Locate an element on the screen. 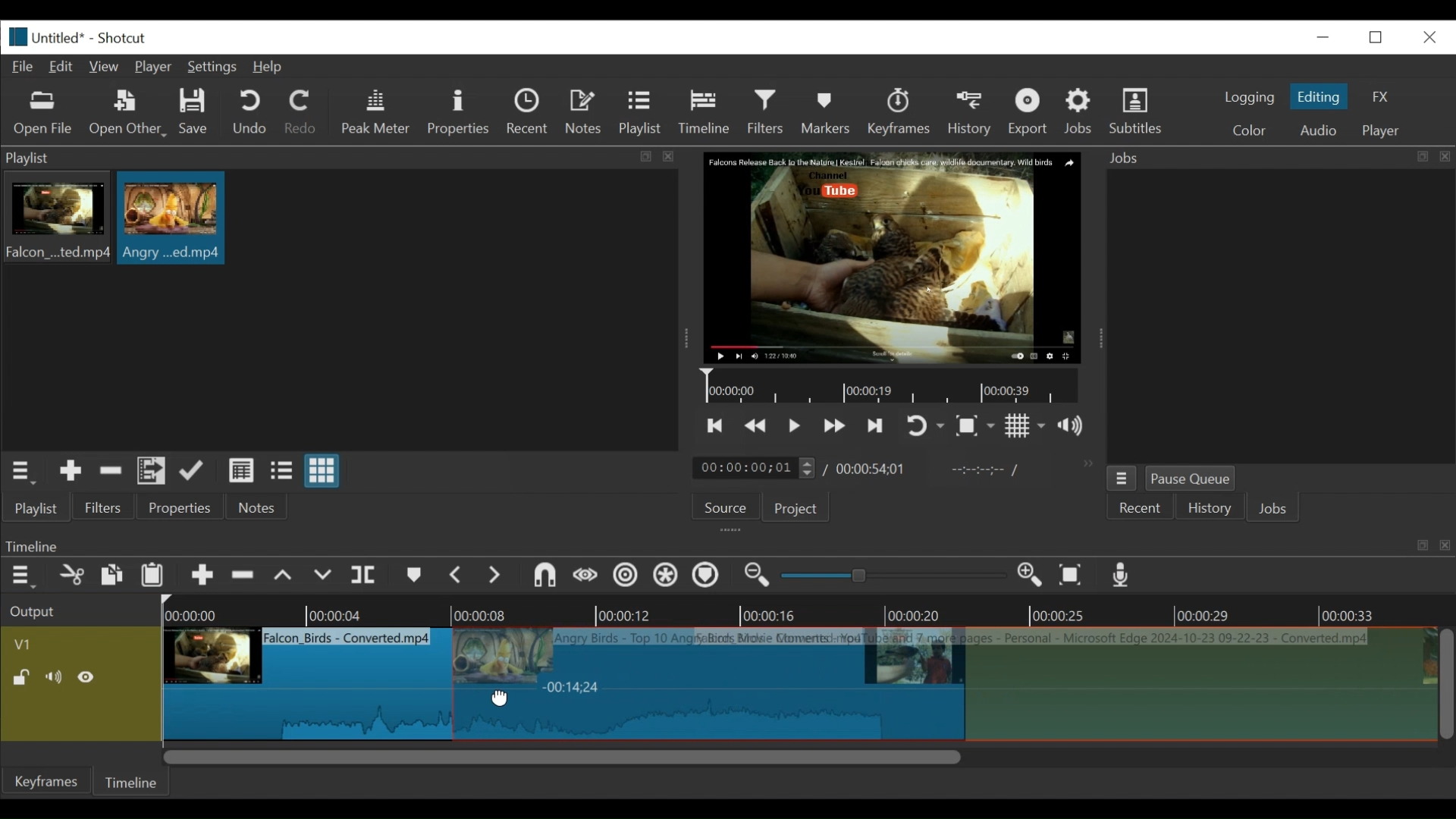  Timeline is located at coordinates (894, 387).